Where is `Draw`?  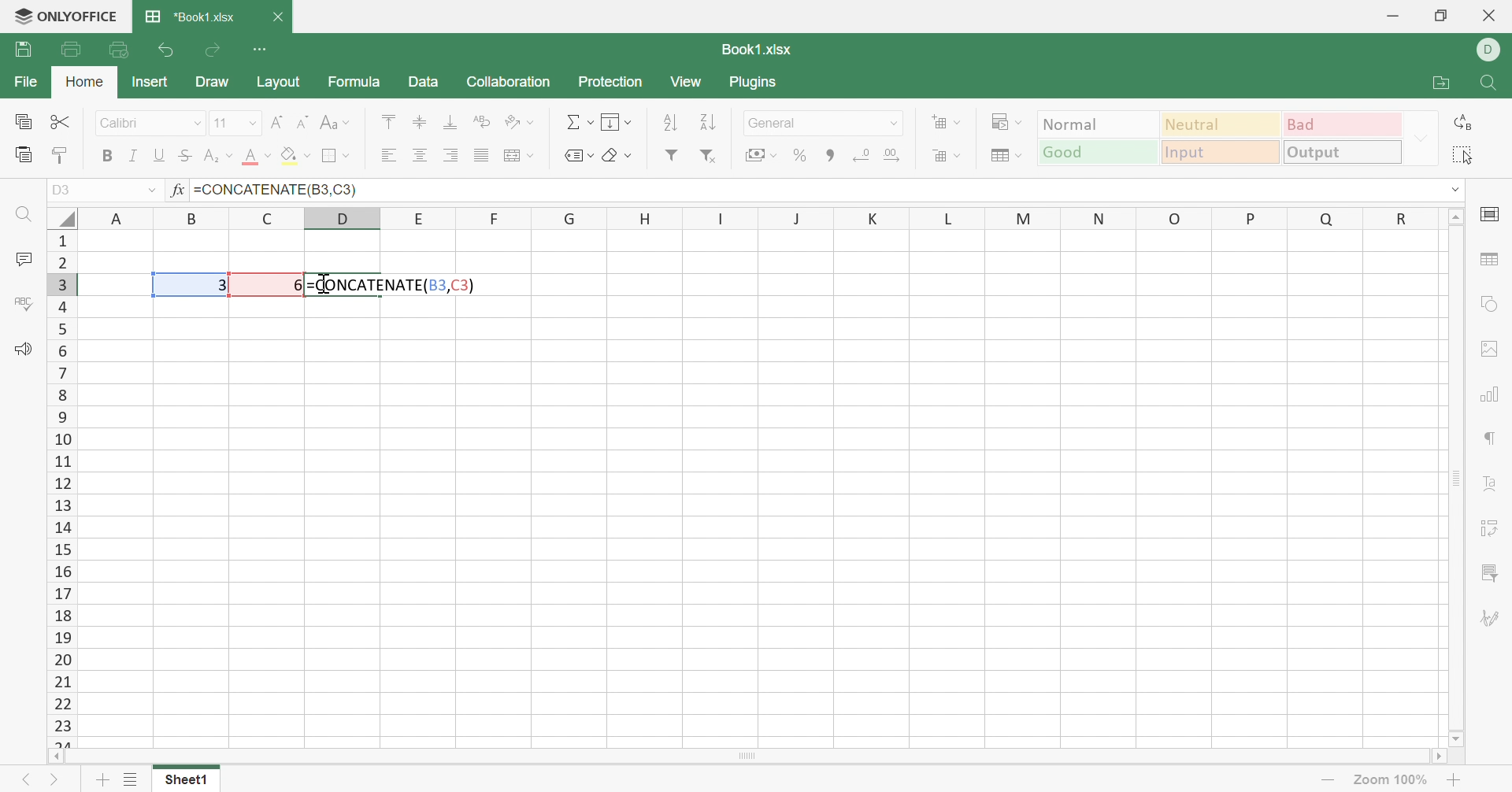
Draw is located at coordinates (212, 80).